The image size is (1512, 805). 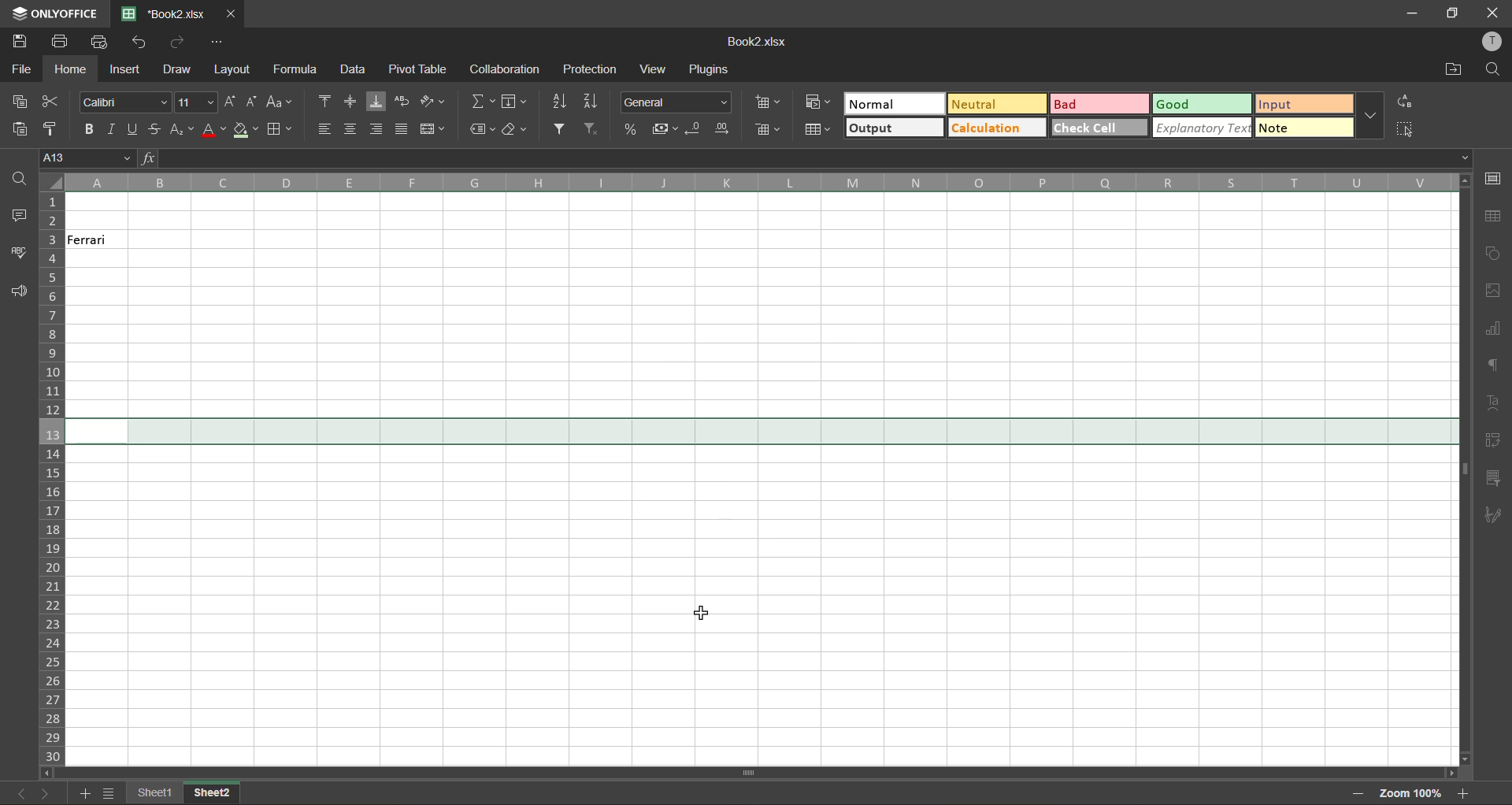 What do you see at coordinates (297, 69) in the screenshot?
I see `formula` at bounding box center [297, 69].